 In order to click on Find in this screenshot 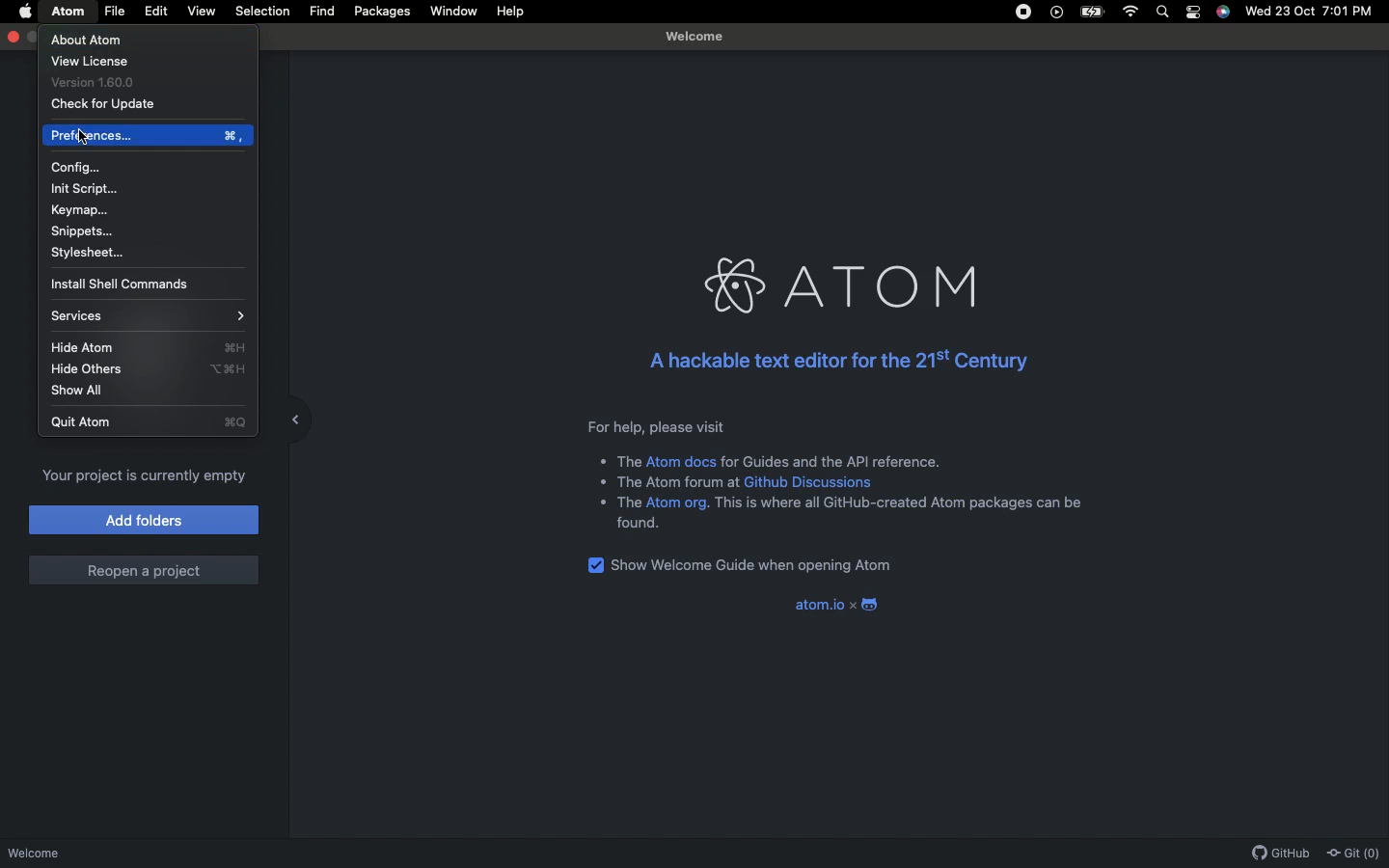, I will do `click(321, 12)`.